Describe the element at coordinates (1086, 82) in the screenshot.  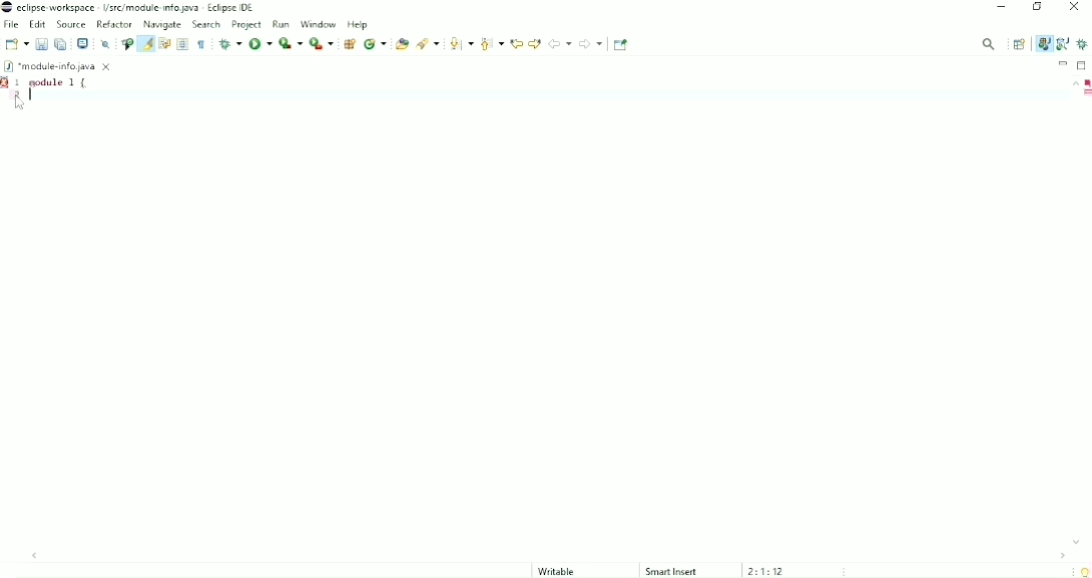
I see `Errors` at that location.